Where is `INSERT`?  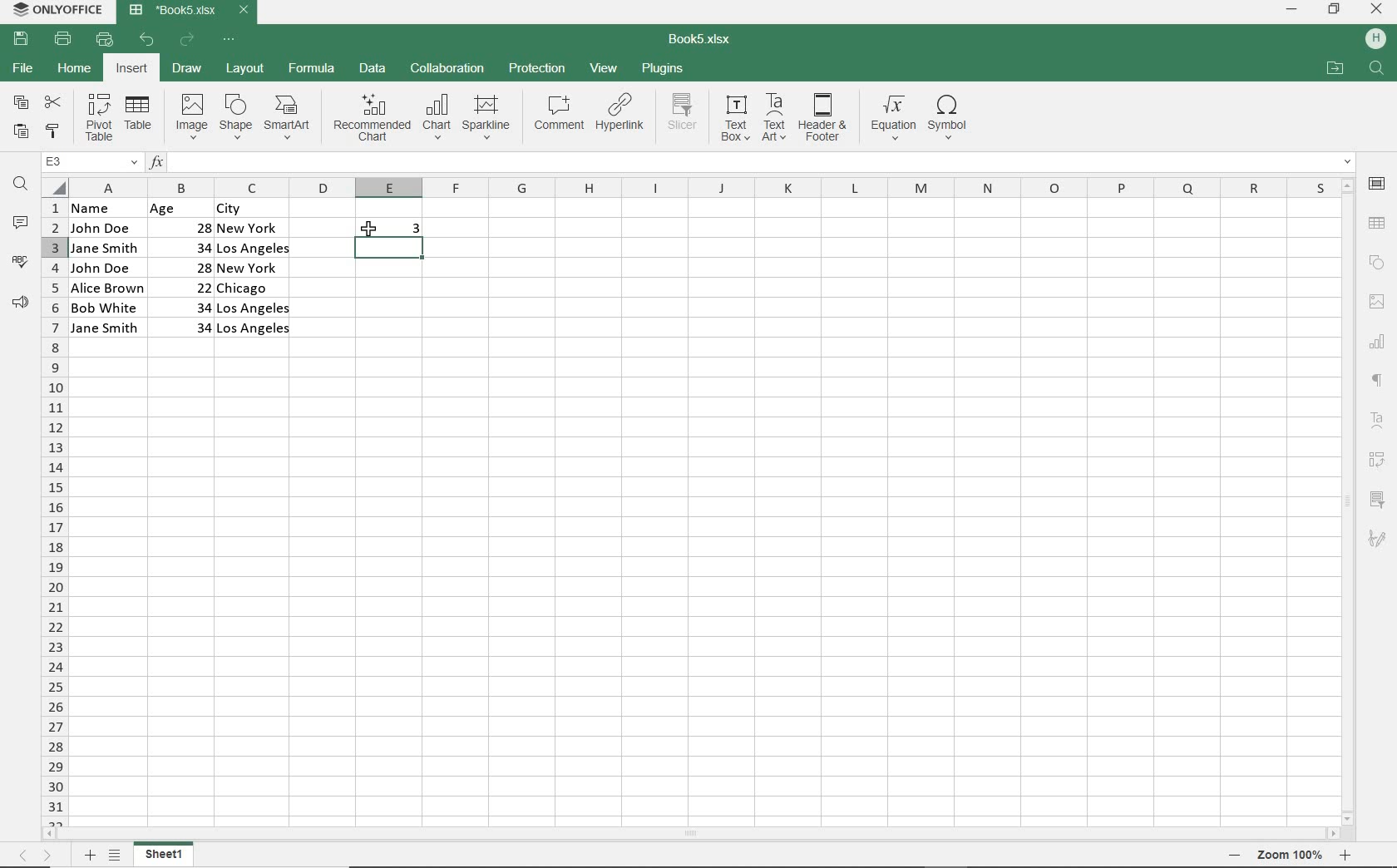 INSERT is located at coordinates (131, 68).